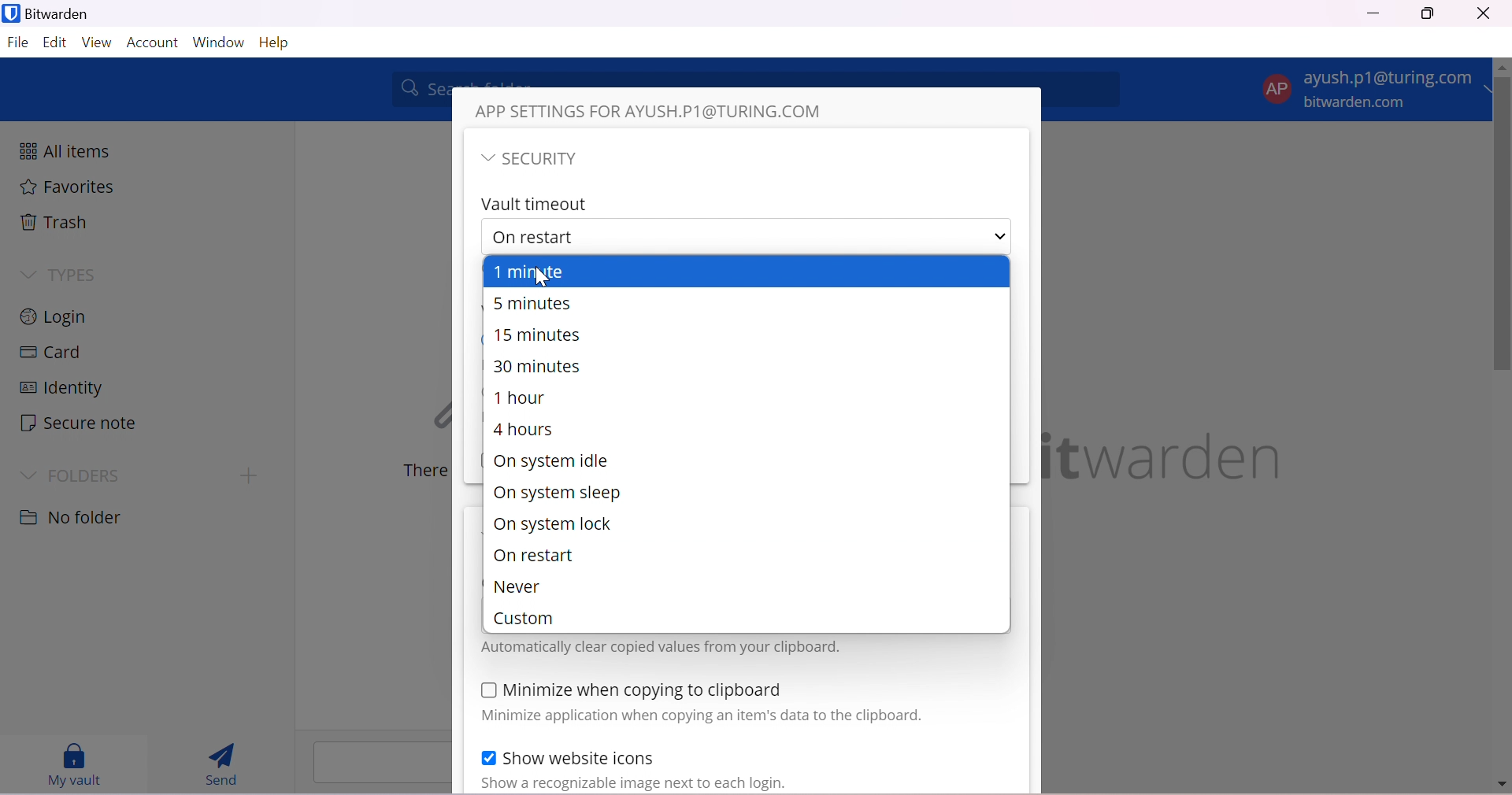 This screenshot has width=1512, height=795. Describe the element at coordinates (552, 523) in the screenshot. I see `On system lock` at that location.